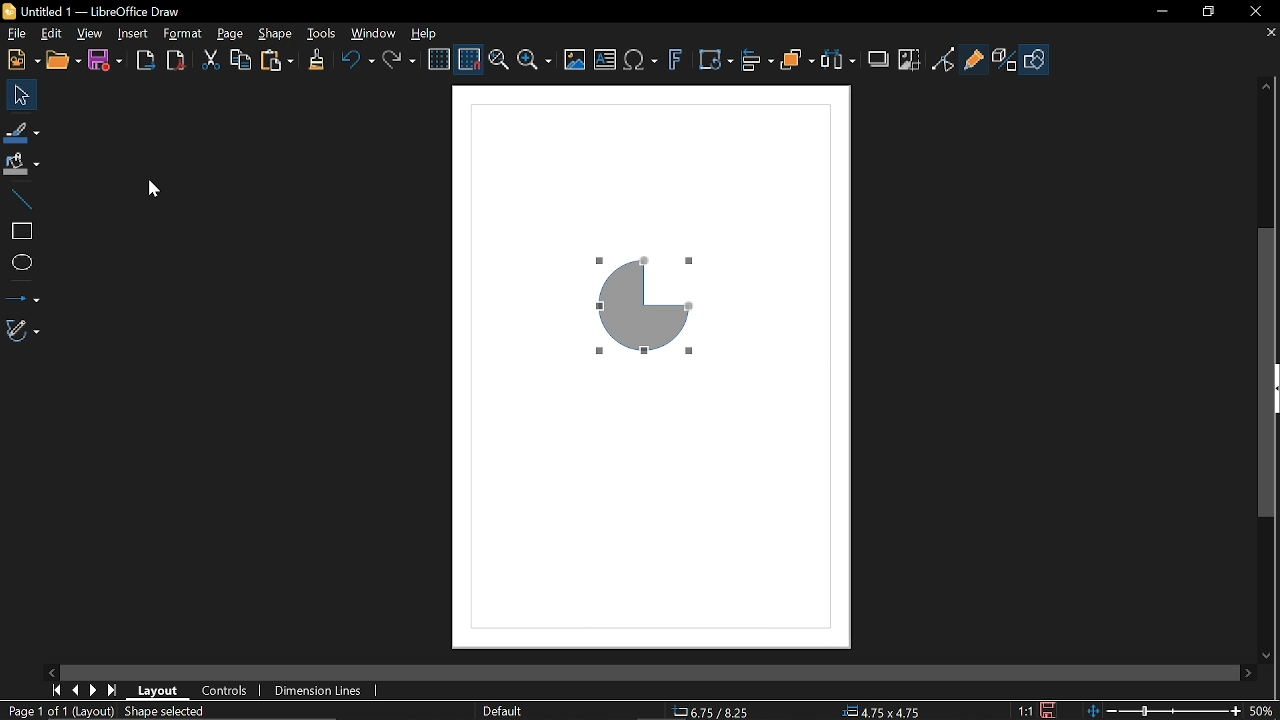 This screenshot has height=720, width=1280. I want to click on Glue, so click(974, 57).